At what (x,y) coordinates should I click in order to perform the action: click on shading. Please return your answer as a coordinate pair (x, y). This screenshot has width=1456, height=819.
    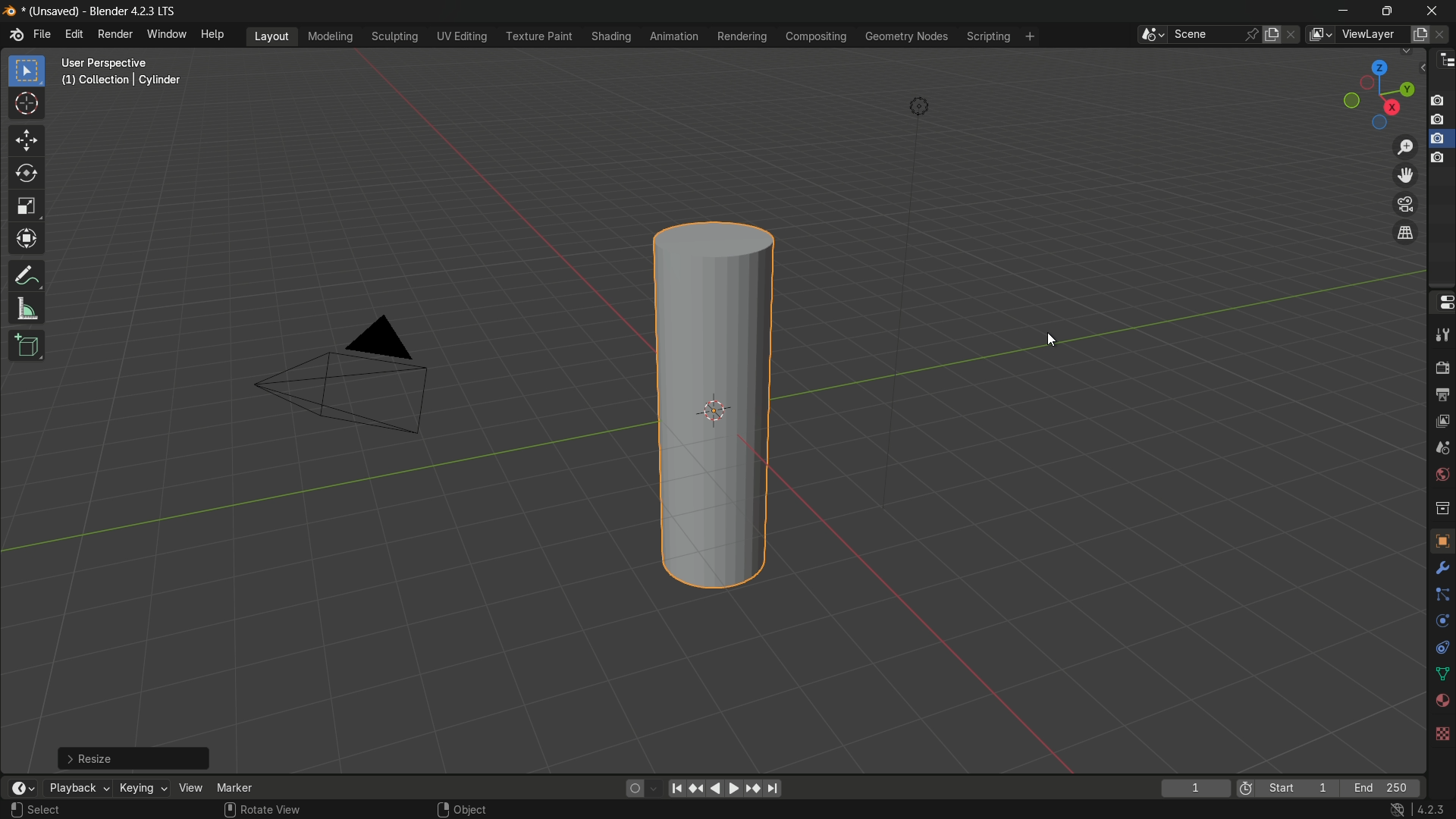
    Looking at the image, I should click on (609, 36).